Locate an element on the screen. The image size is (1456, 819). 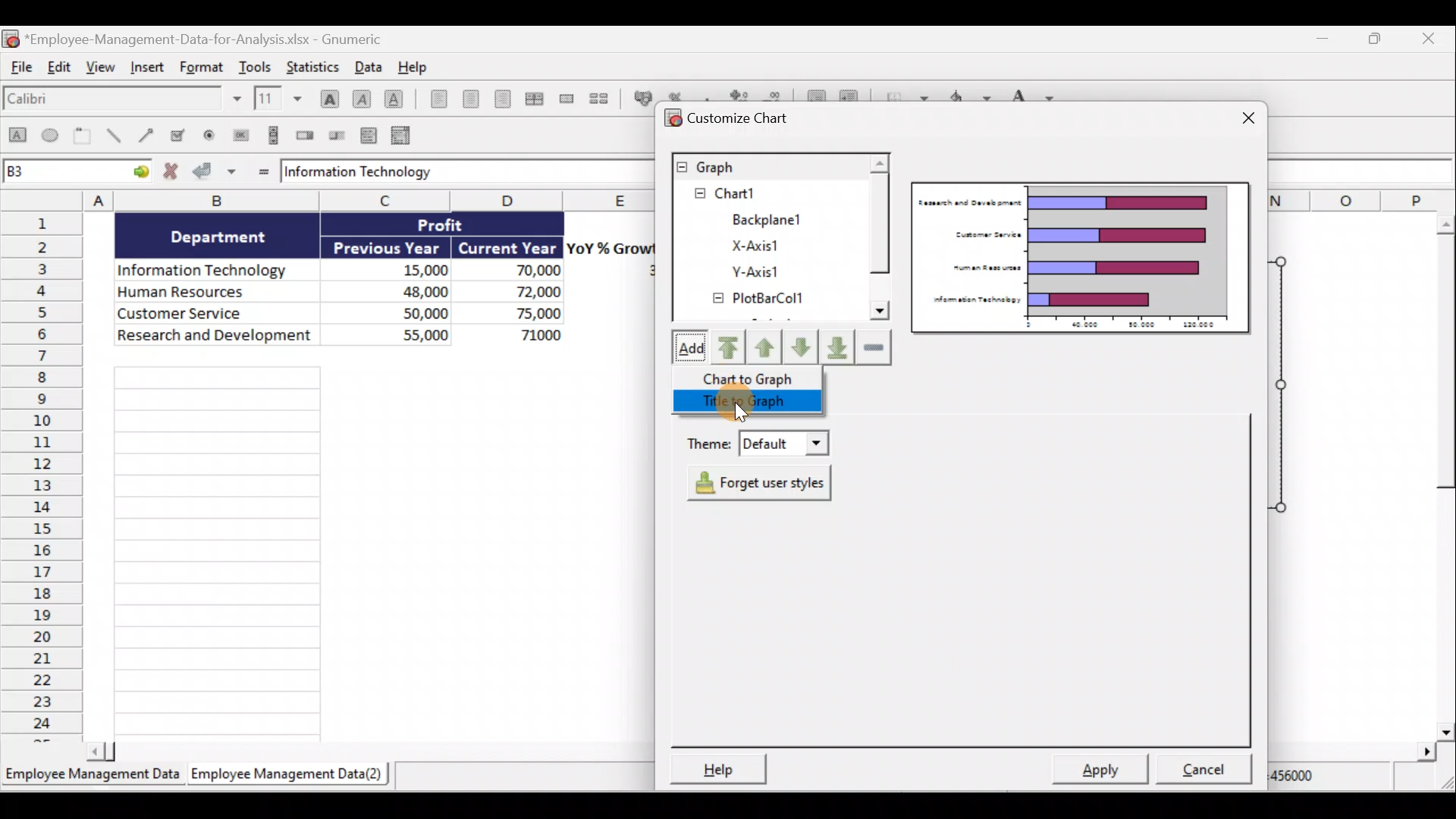
Italic is located at coordinates (362, 97).